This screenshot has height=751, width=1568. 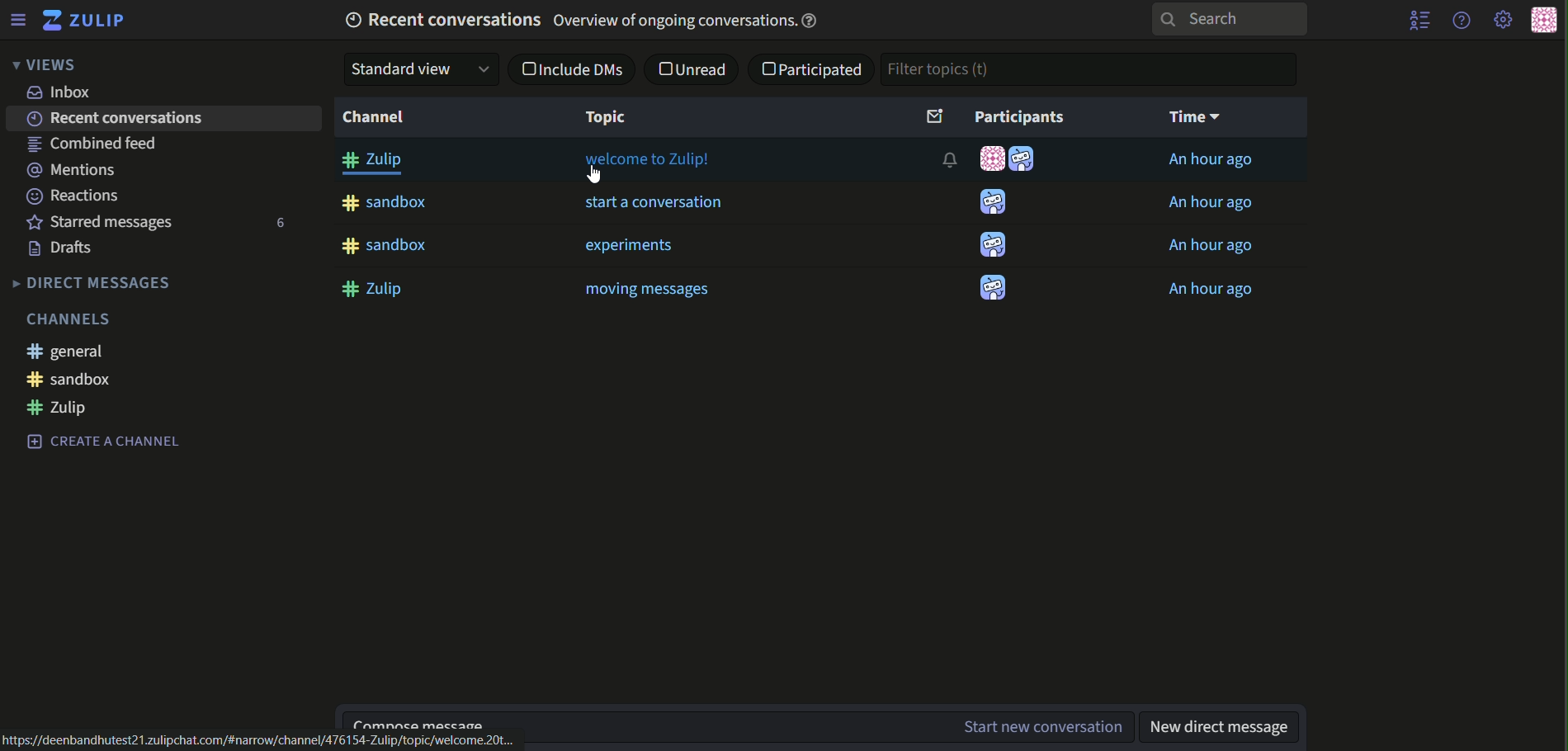 I want to click on logo and title, so click(x=84, y=21).